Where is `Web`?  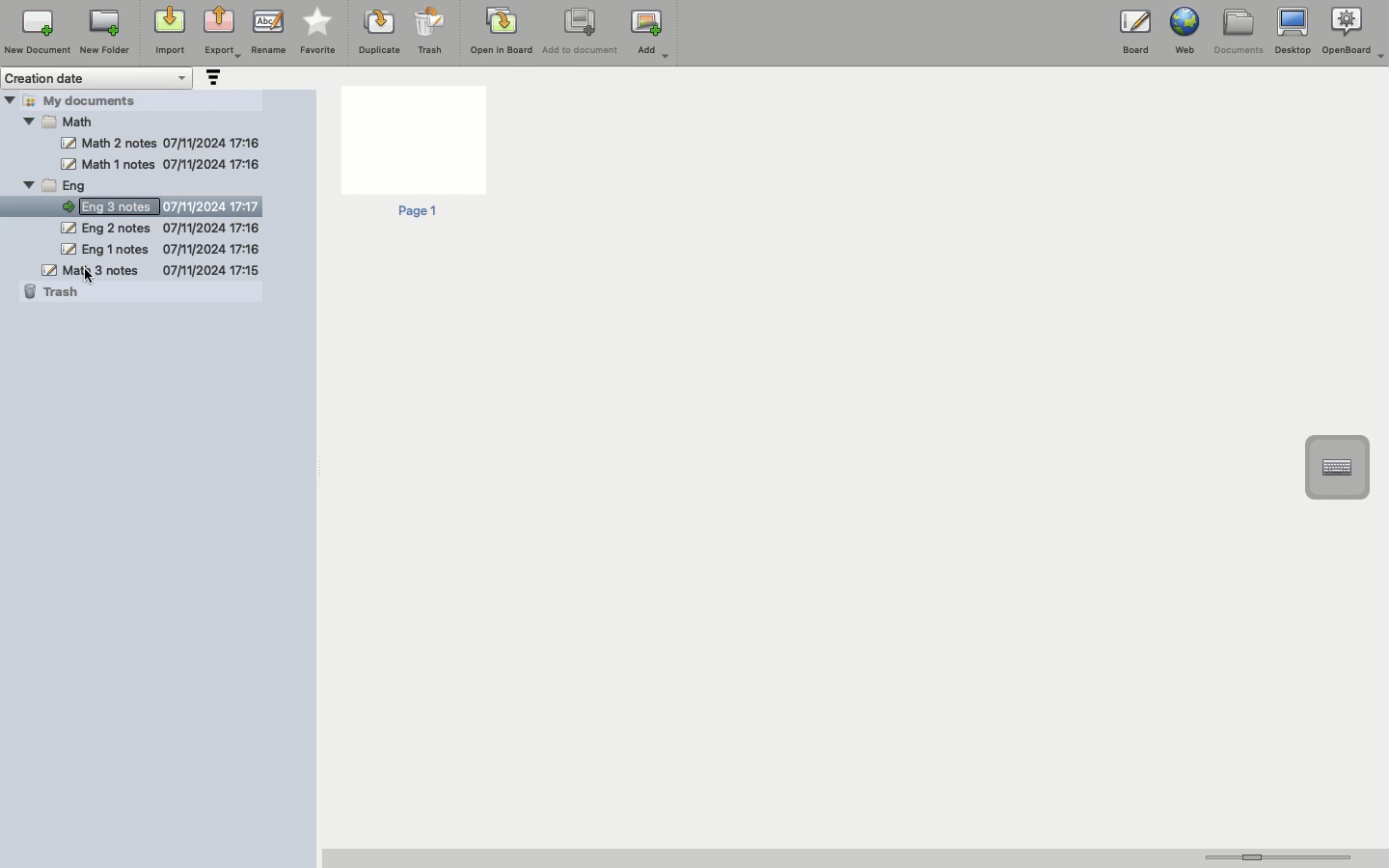
Web is located at coordinates (1183, 31).